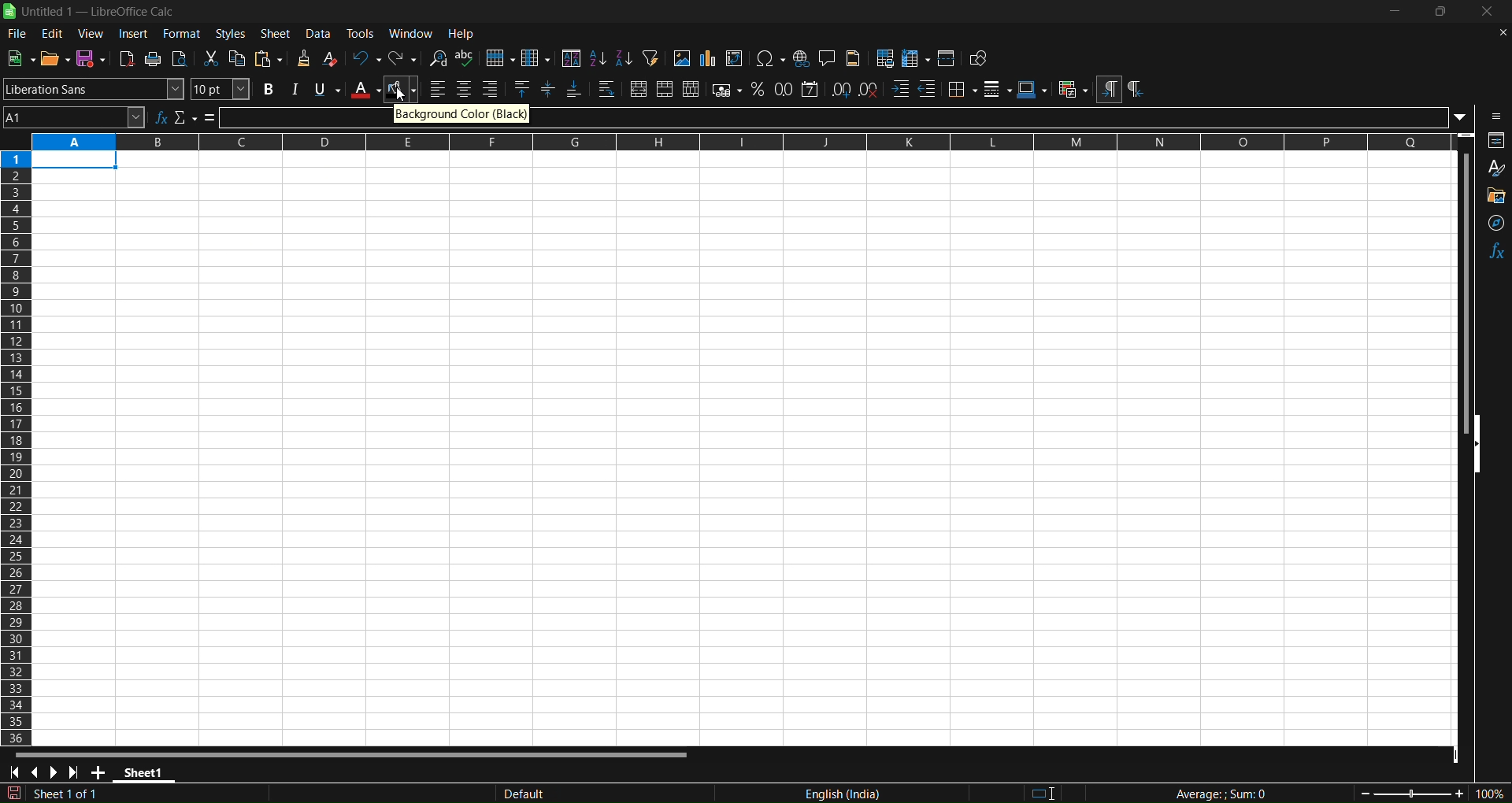 The image size is (1512, 803). I want to click on clone formatting, so click(302, 57).